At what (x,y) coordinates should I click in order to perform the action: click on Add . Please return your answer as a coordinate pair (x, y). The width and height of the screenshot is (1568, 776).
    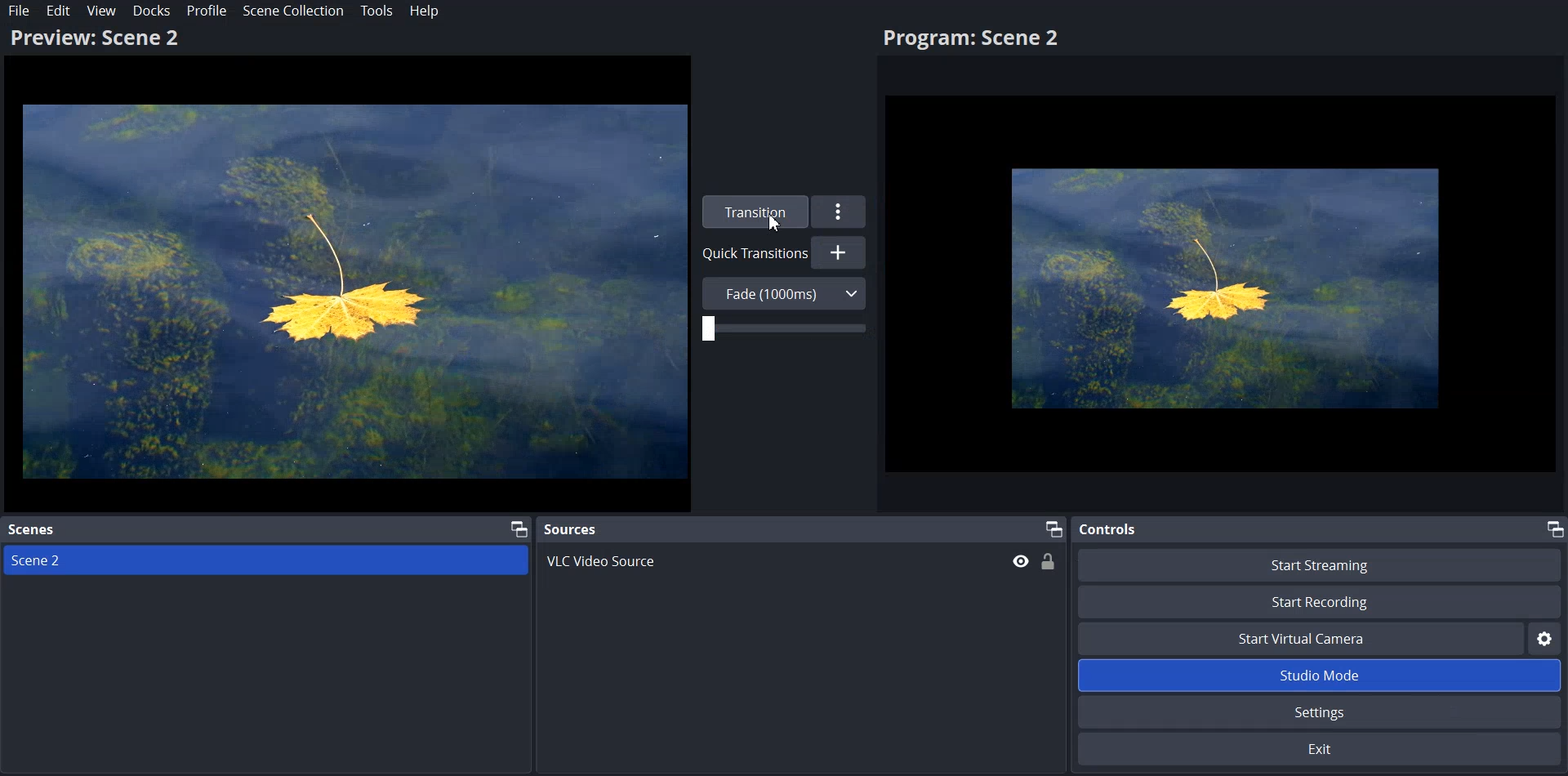
    Looking at the image, I should click on (841, 252).